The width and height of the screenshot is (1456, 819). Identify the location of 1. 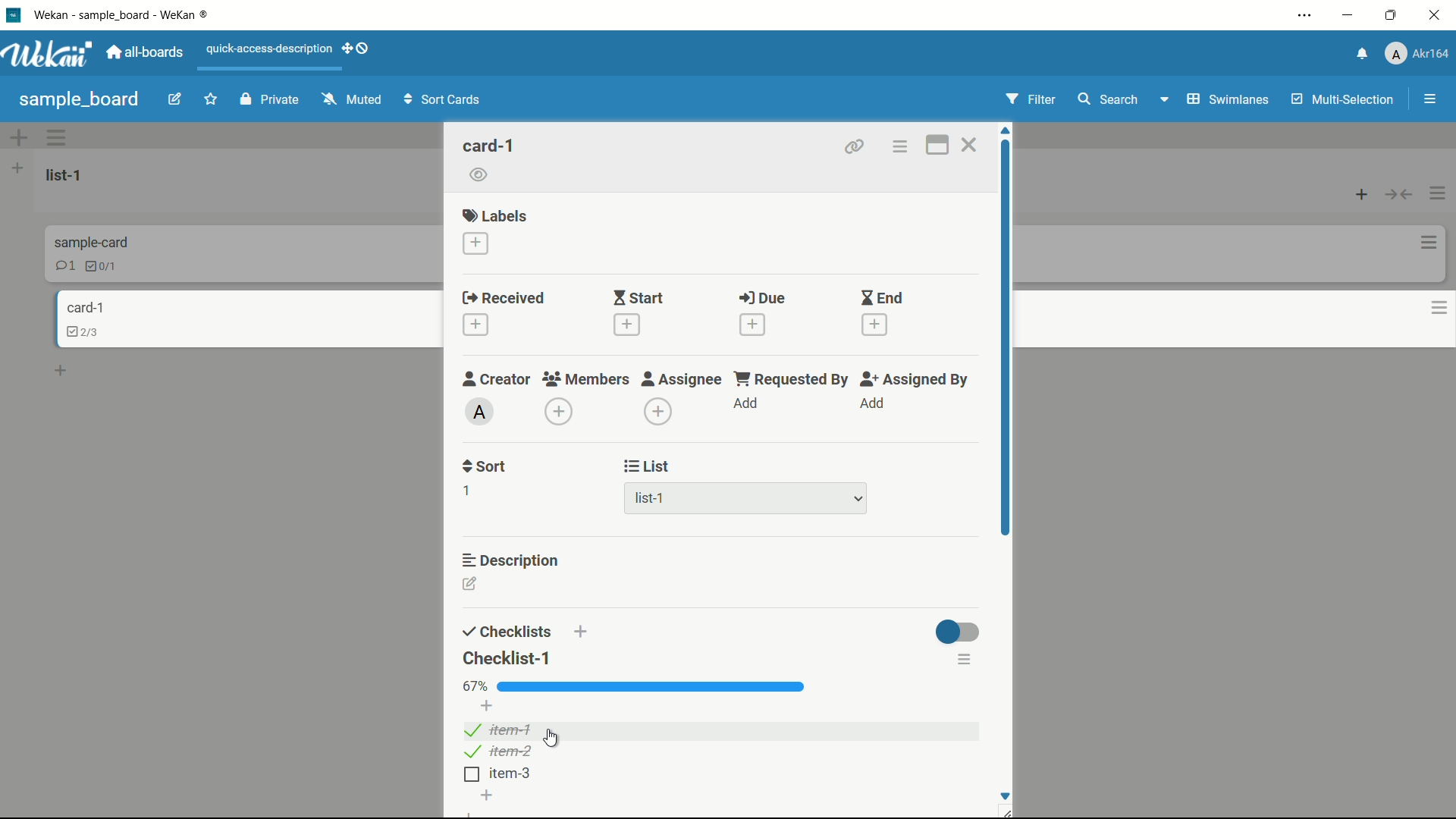
(467, 493).